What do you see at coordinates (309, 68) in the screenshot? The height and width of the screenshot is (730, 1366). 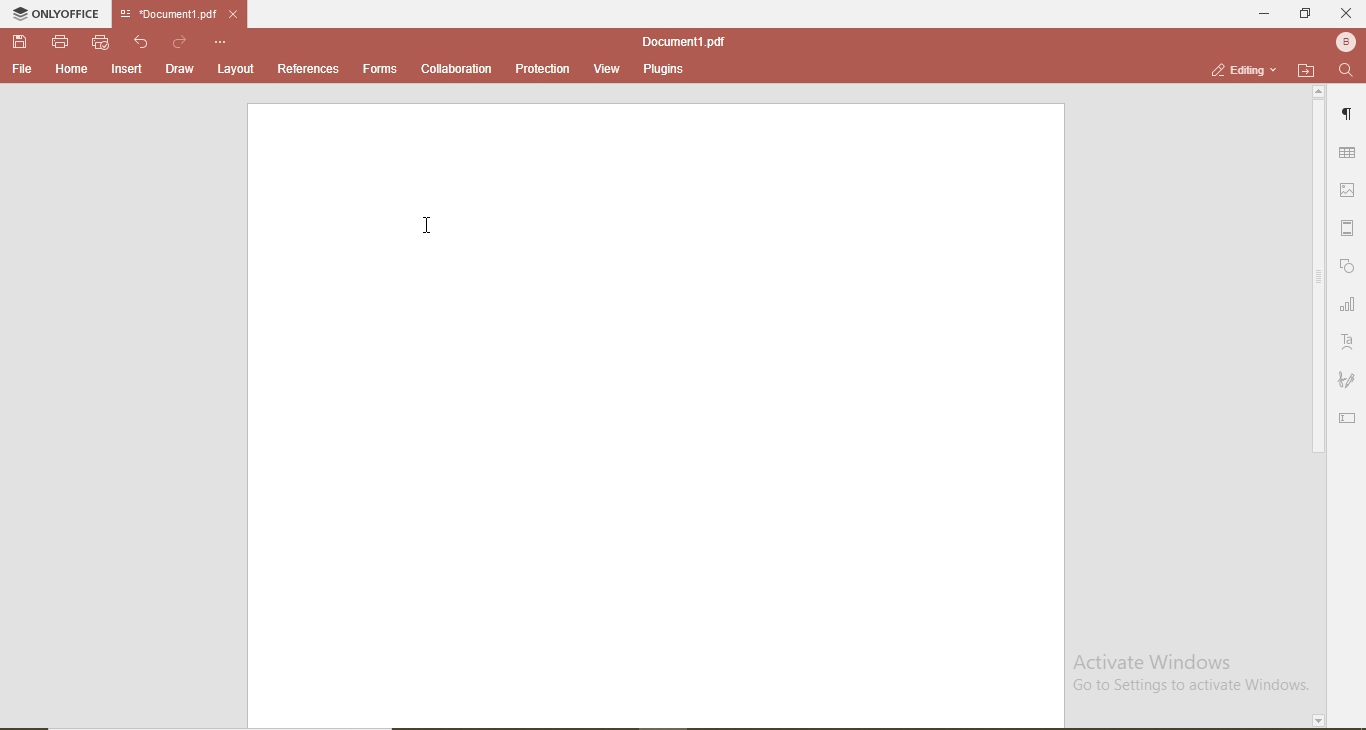 I see `references` at bounding box center [309, 68].